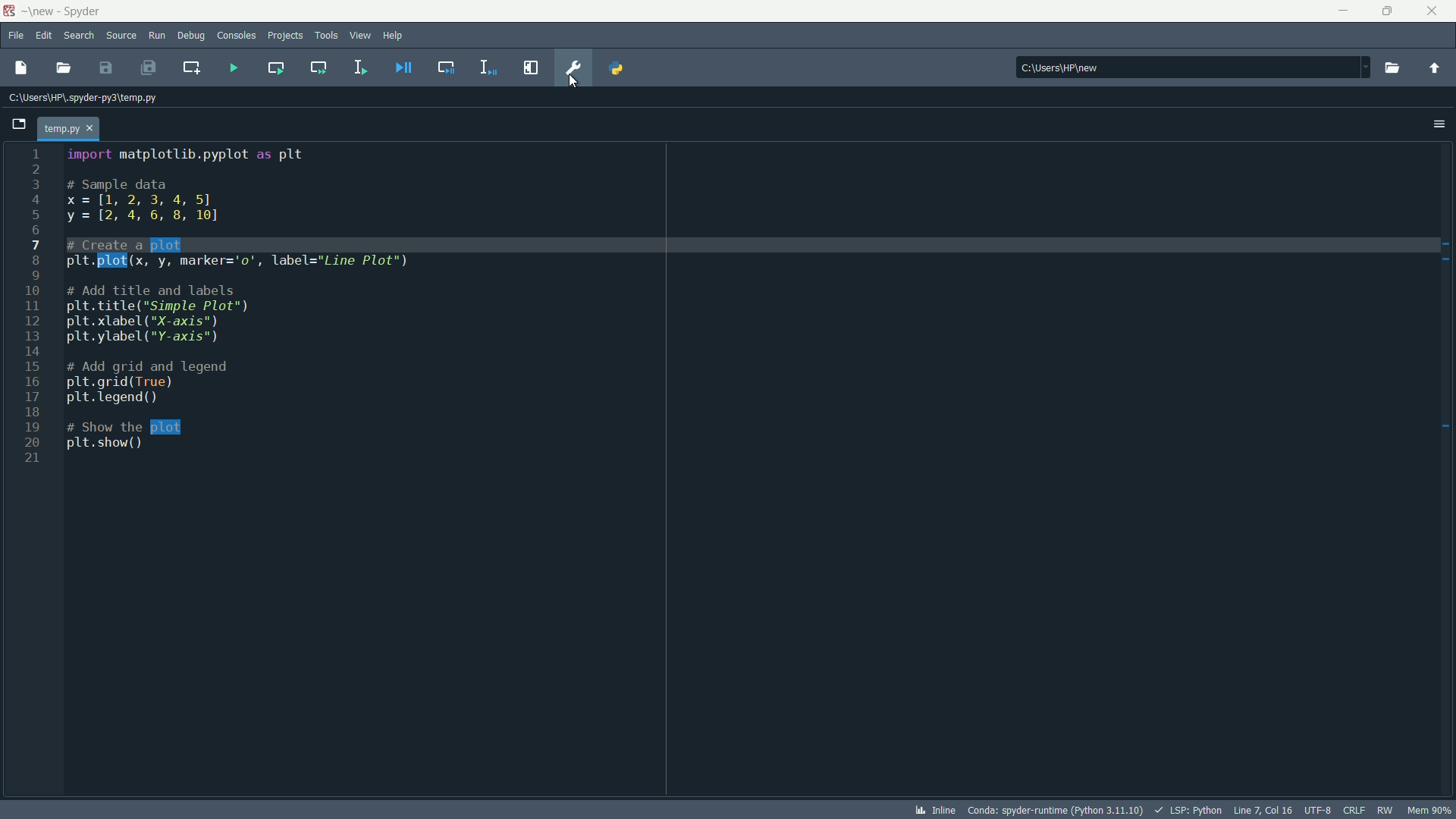  Describe the element at coordinates (1432, 811) in the screenshot. I see `memory usage` at that location.